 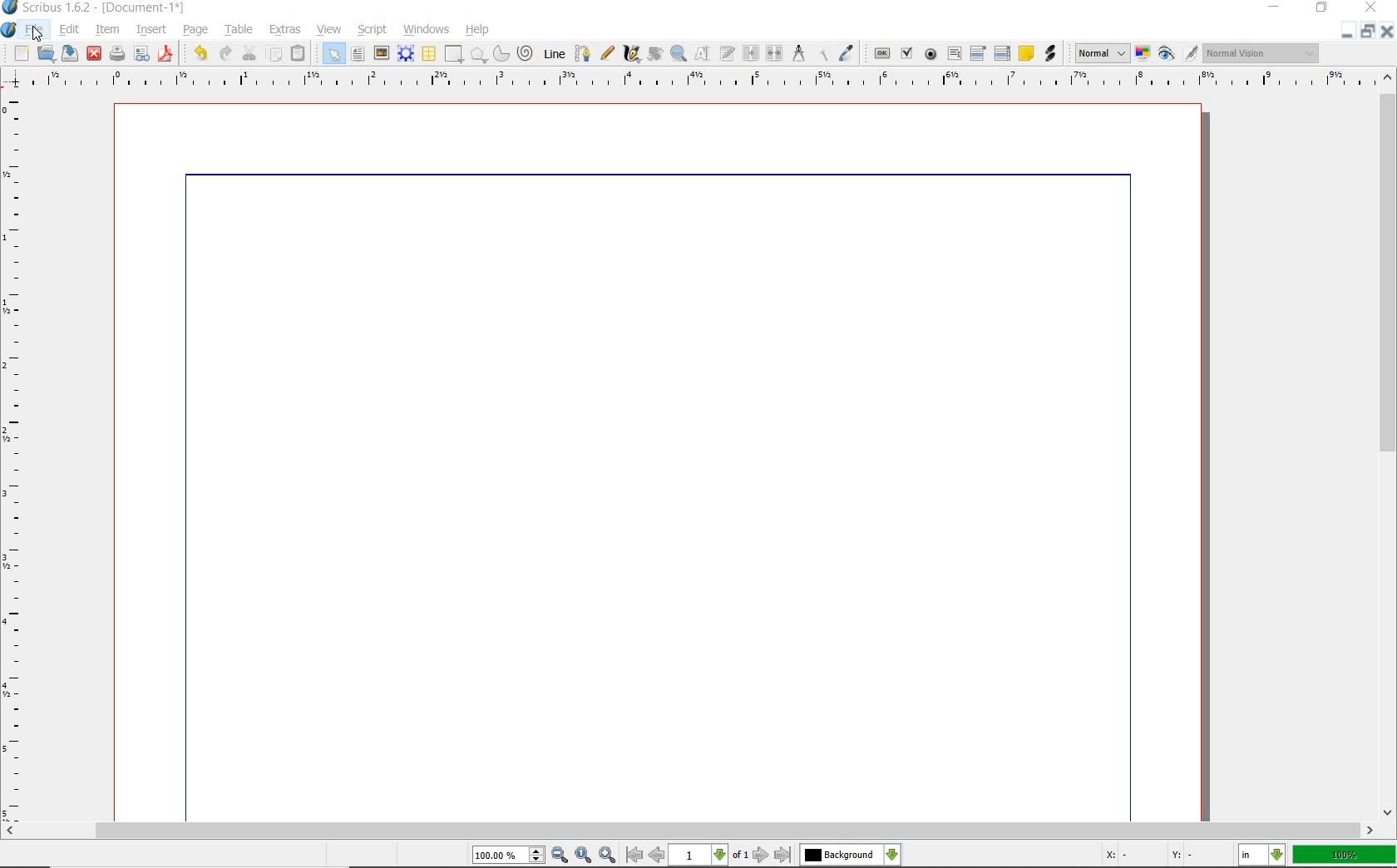 What do you see at coordinates (301, 52) in the screenshot?
I see `paste` at bounding box center [301, 52].